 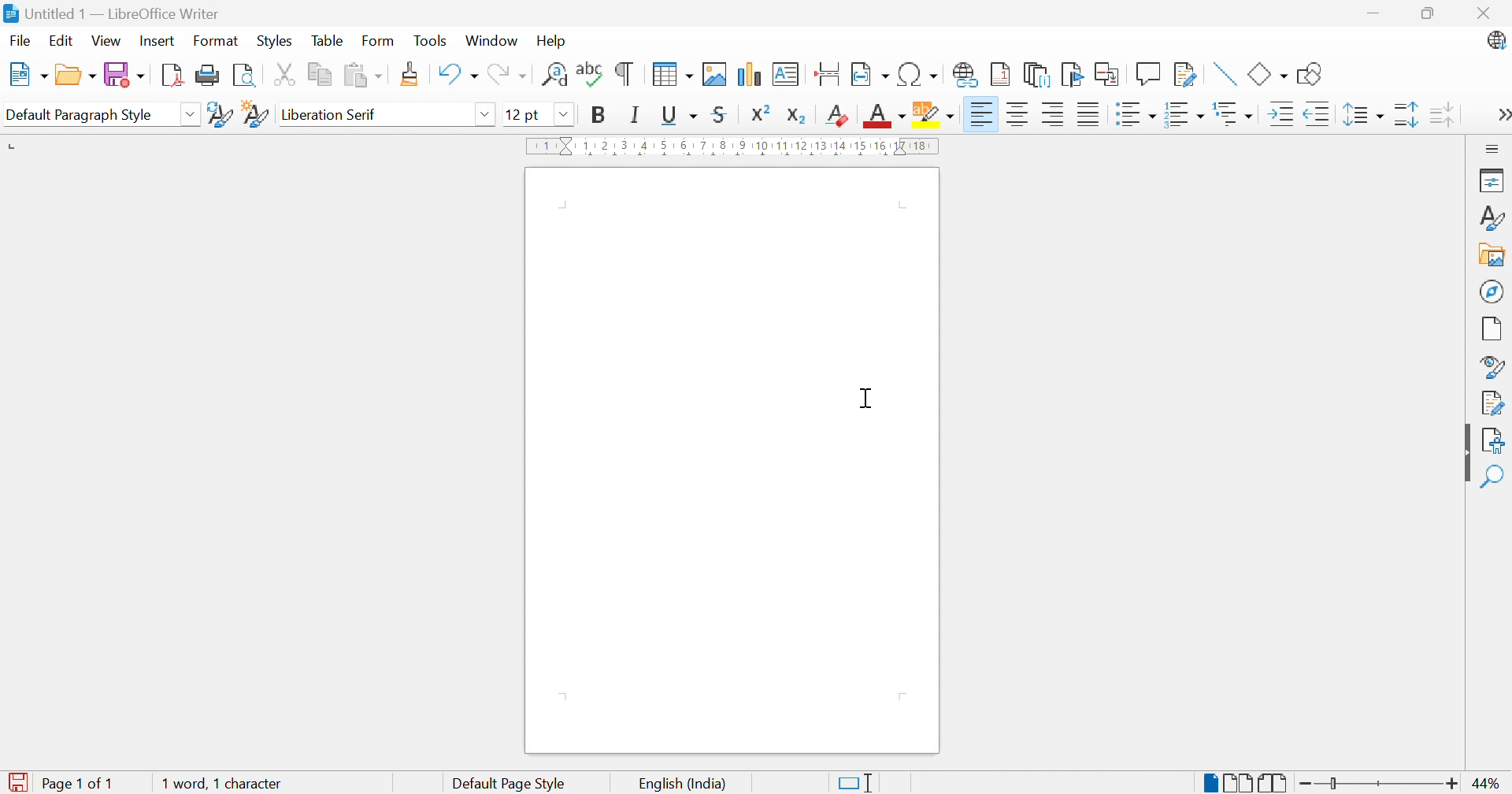 What do you see at coordinates (830, 72) in the screenshot?
I see `Inset page break` at bounding box center [830, 72].